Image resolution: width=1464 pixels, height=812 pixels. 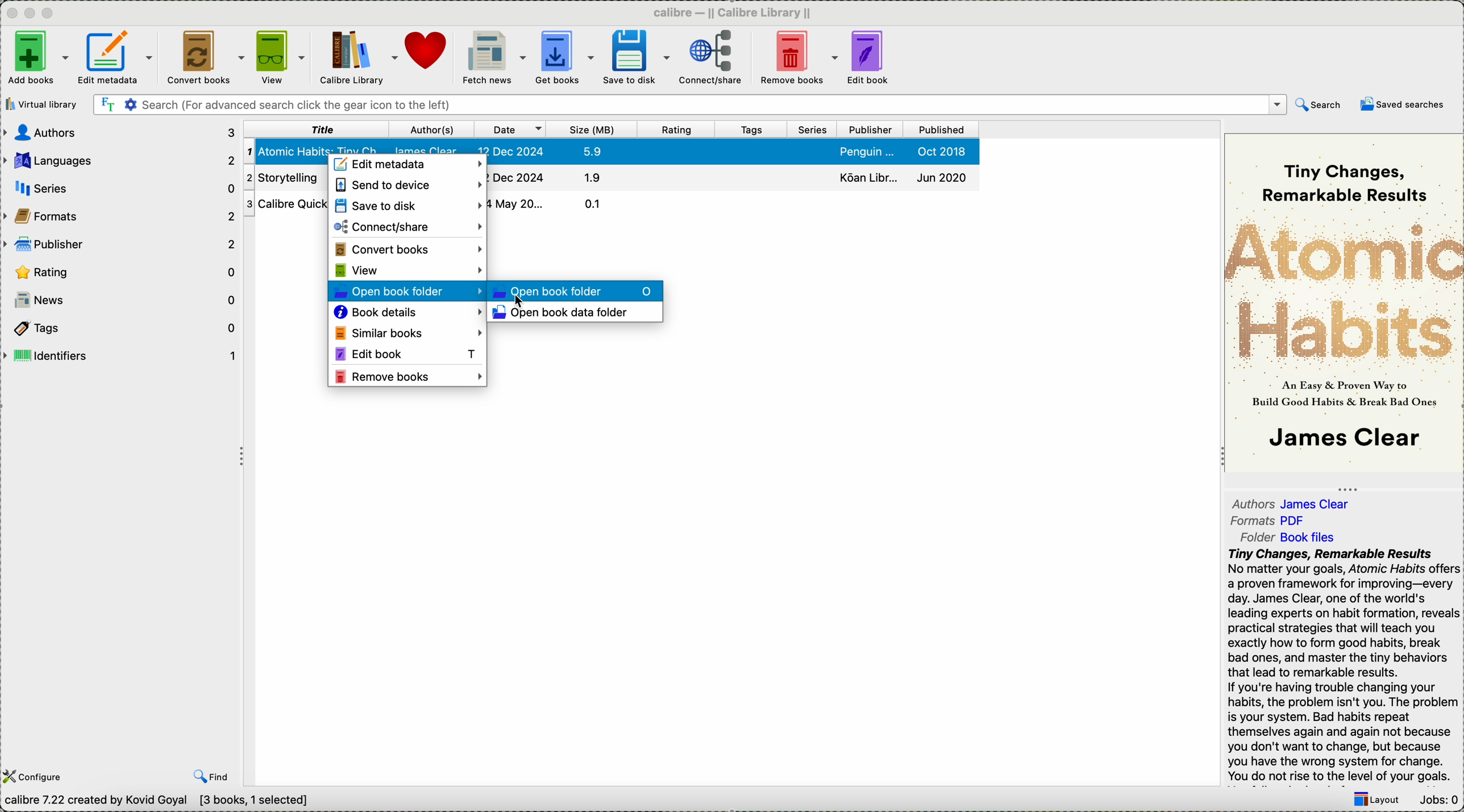 I want to click on add books, so click(x=36, y=59).